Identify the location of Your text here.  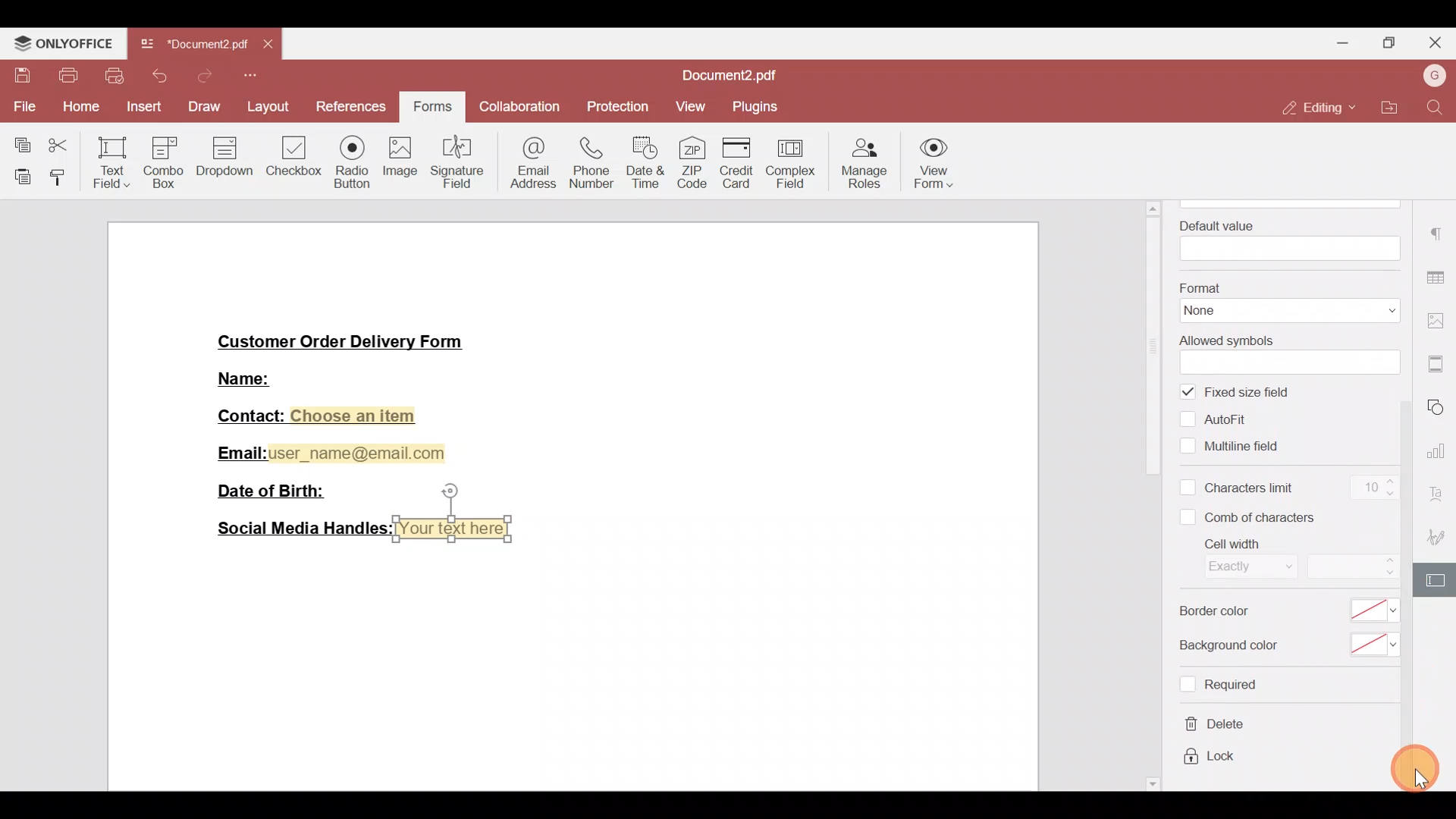
(457, 529).